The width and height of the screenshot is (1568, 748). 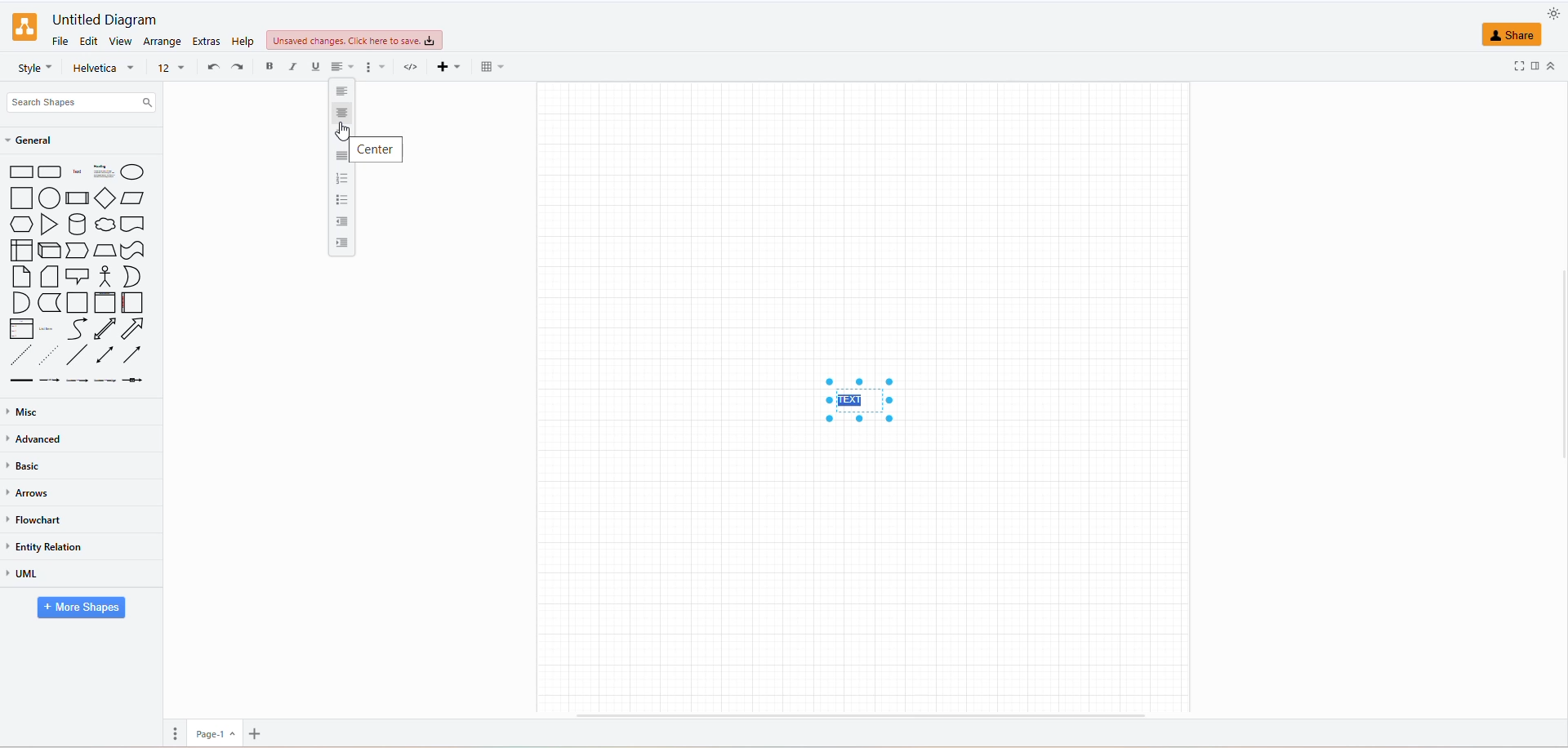 What do you see at coordinates (32, 576) in the screenshot?
I see `uml` at bounding box center [32, 576].